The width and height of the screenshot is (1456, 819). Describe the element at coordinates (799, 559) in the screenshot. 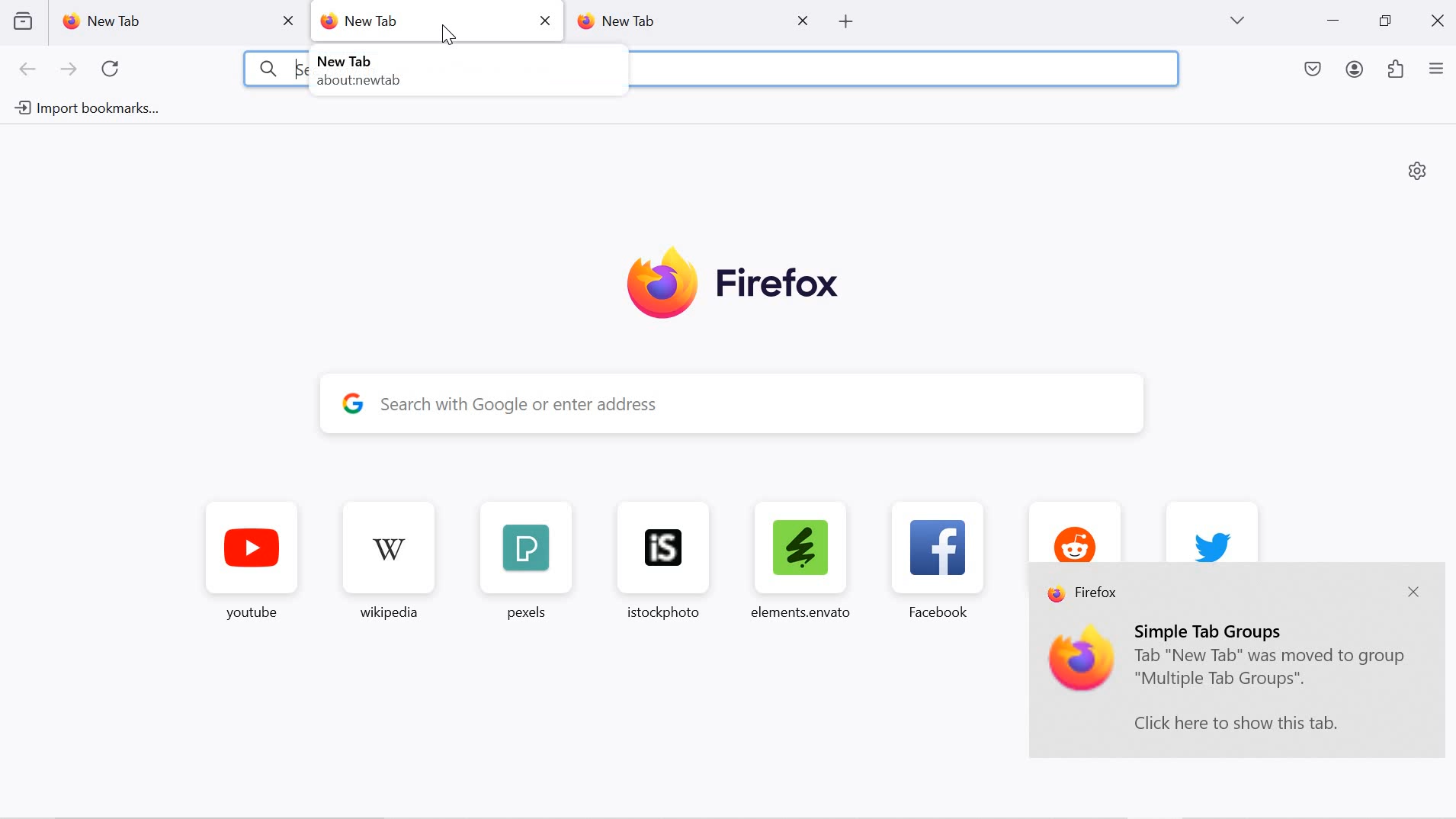

I see `elements.envanto favorite` at that location.